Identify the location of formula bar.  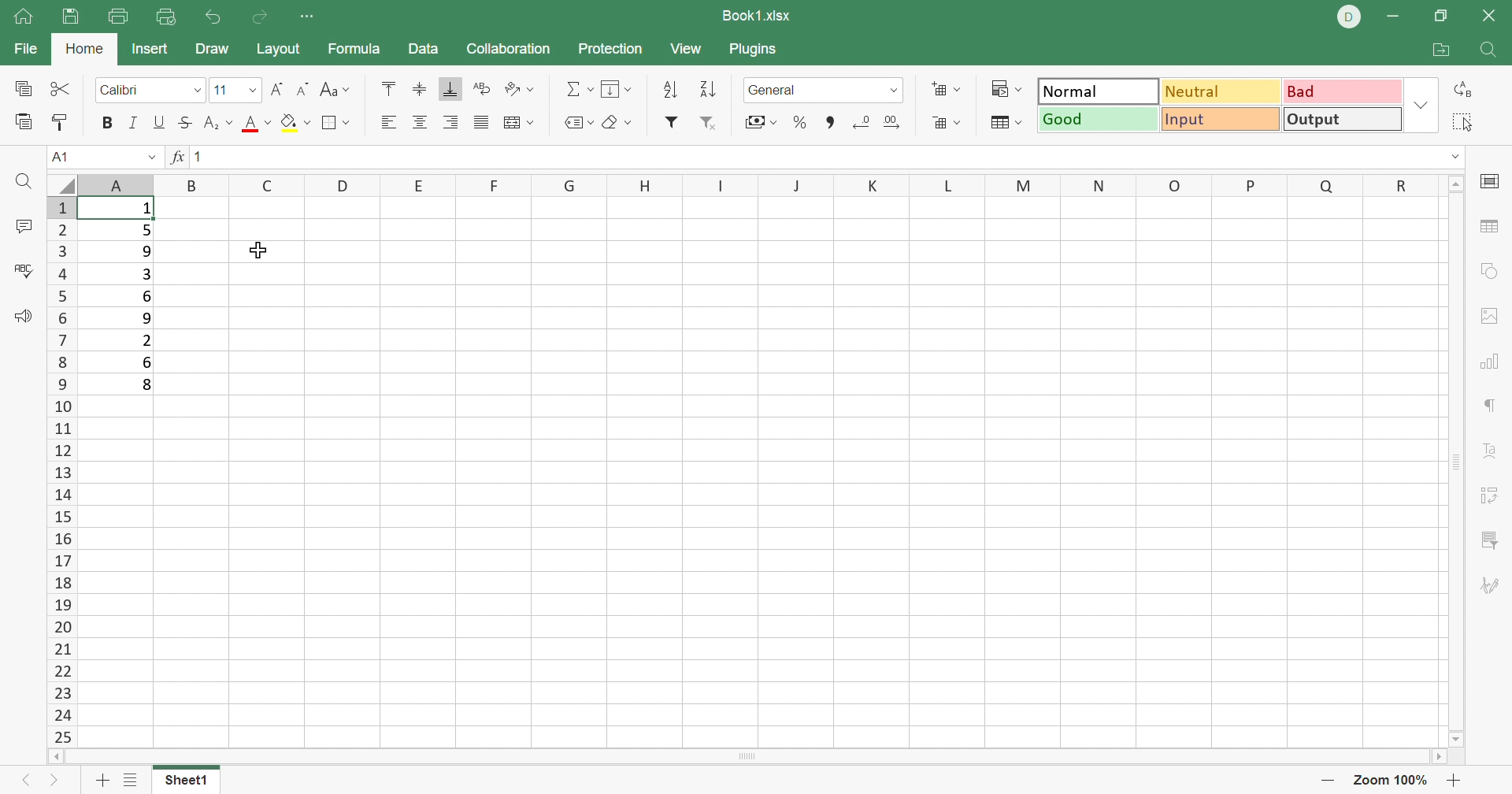
(826, 158).